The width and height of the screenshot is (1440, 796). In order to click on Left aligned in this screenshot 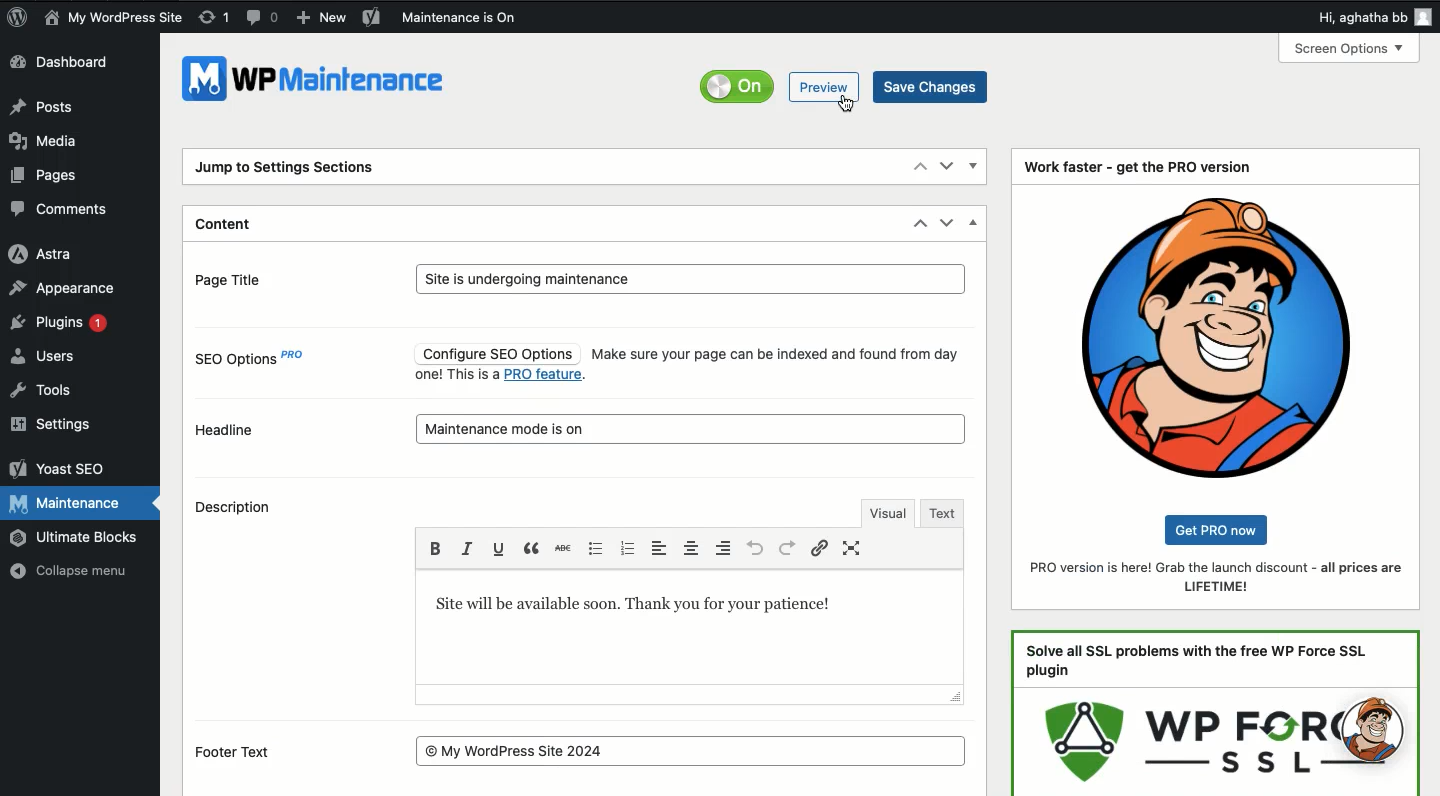, I will do `click(663, 548)`.